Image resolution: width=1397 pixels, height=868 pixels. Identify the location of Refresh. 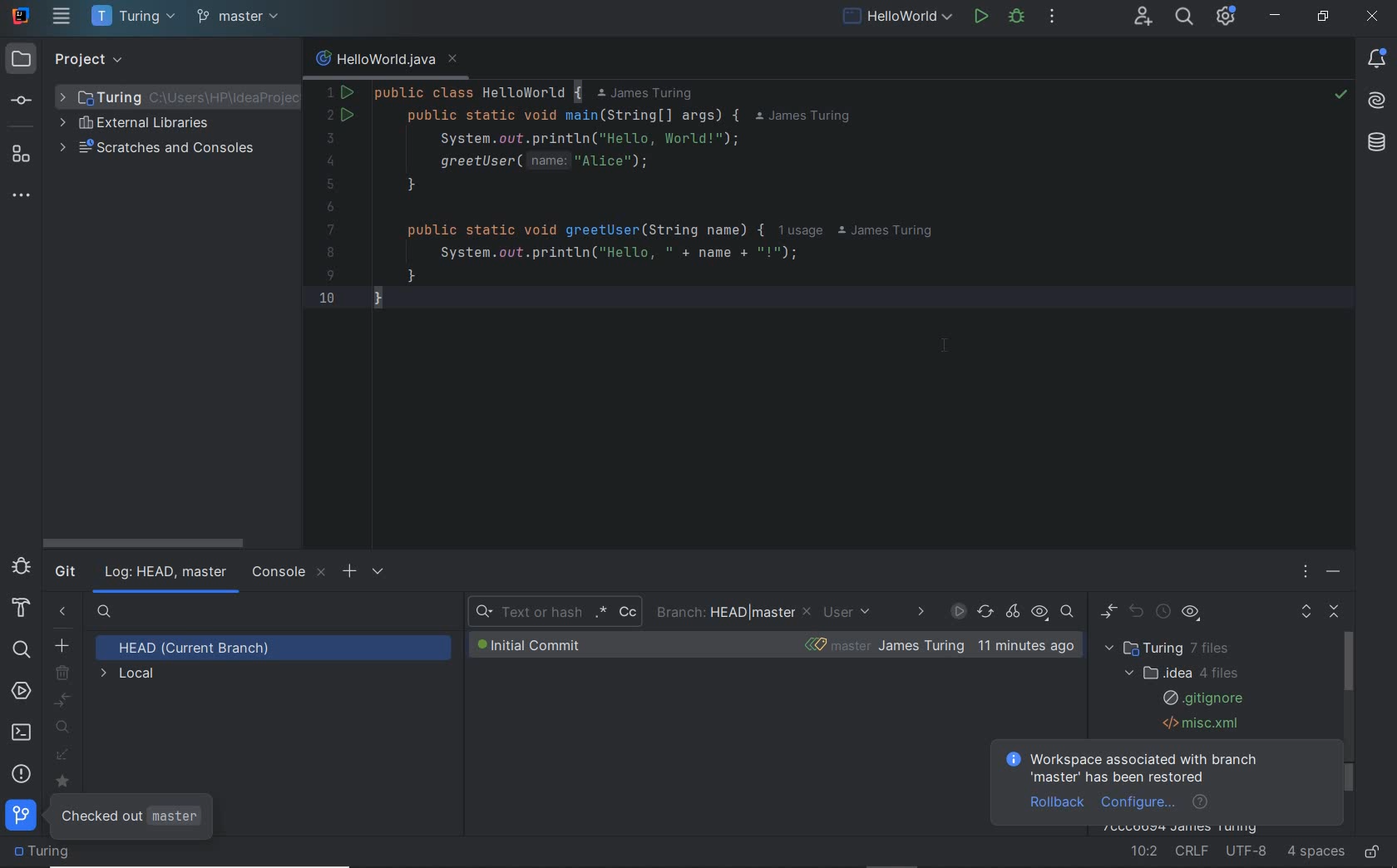
(985, 613).